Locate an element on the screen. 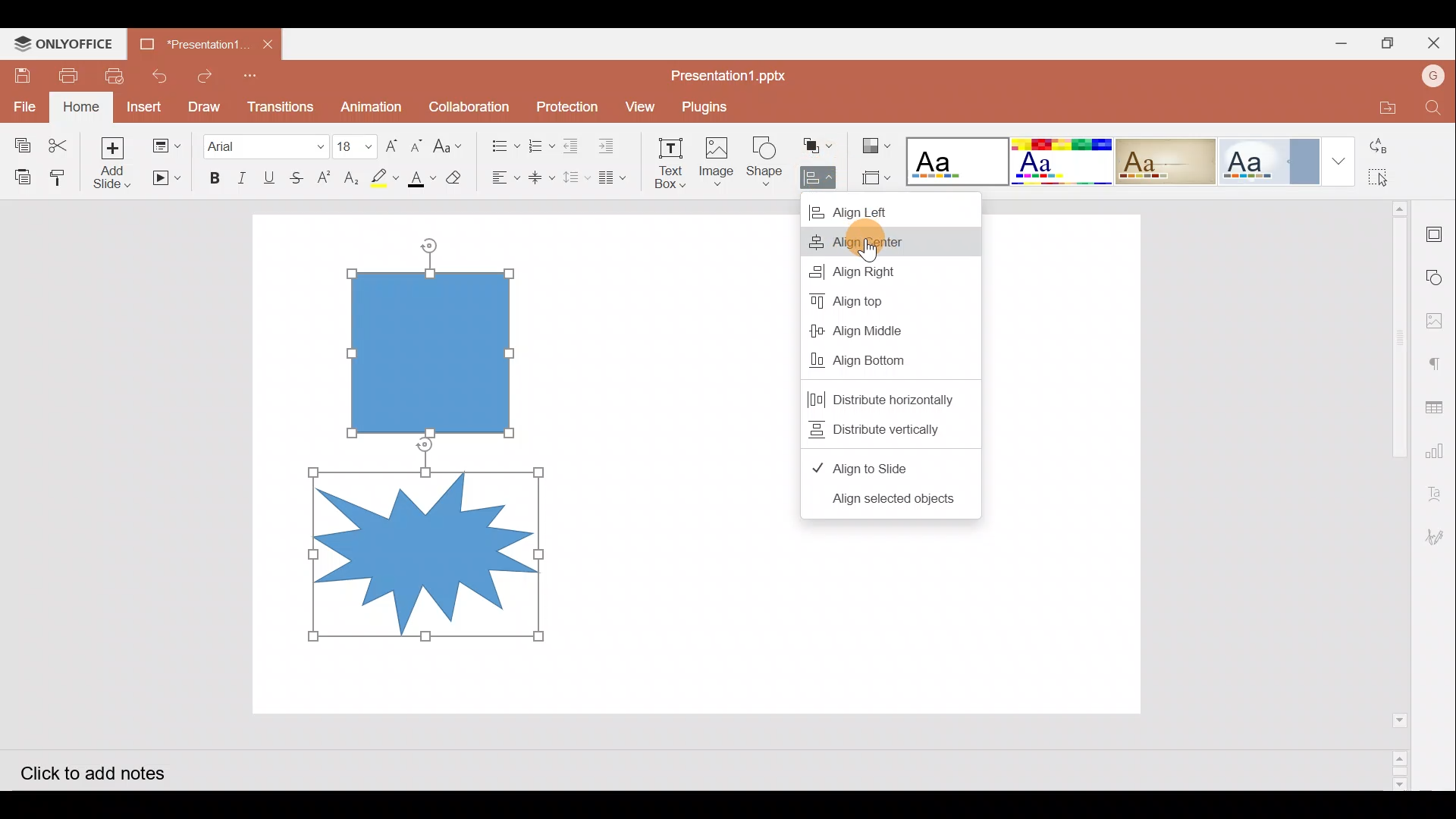 This screenshot has height=819, width=1456. Change slide layout is located at coordinates (166, 144).